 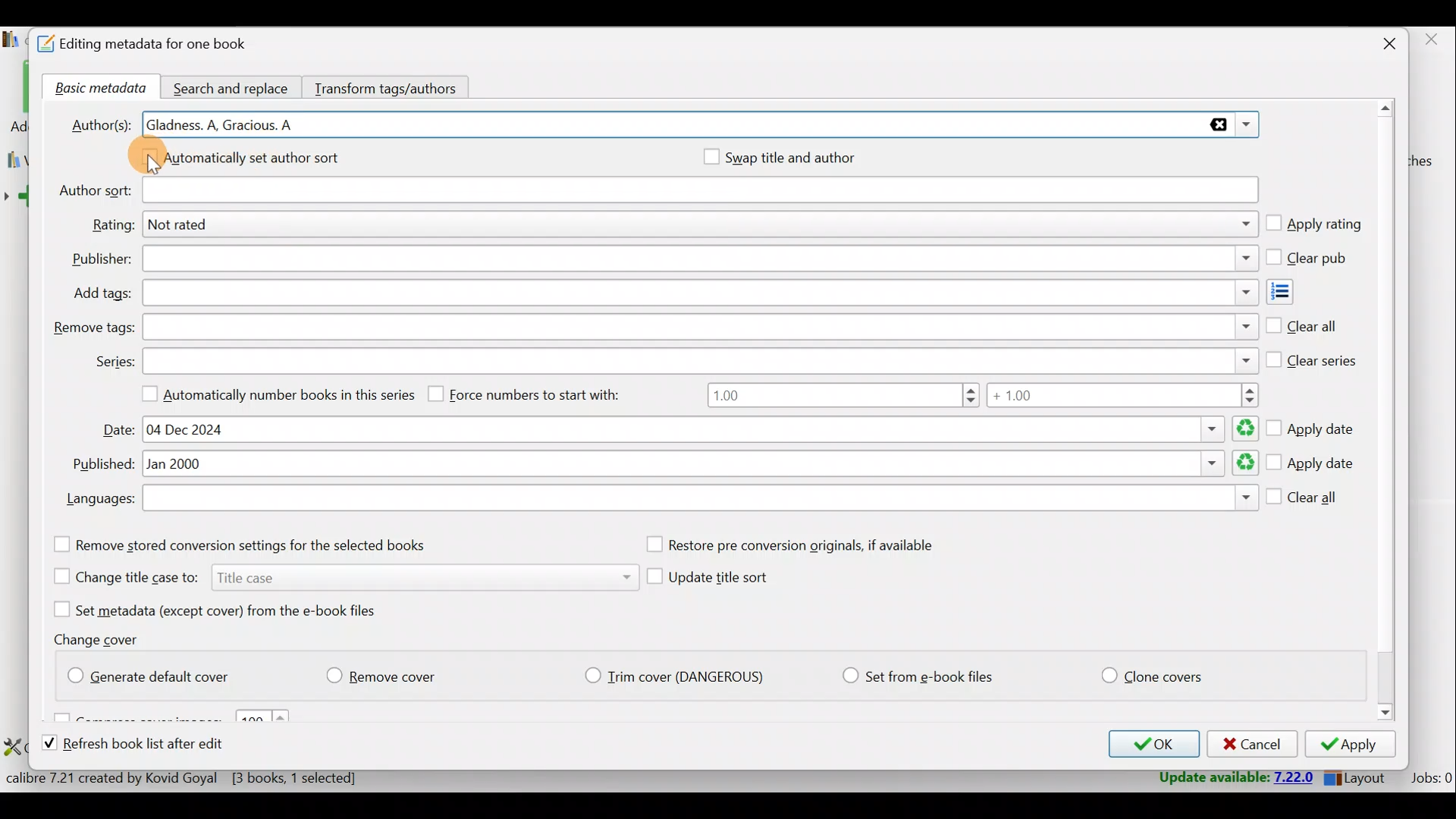 What do you see at coordinates (808, 157) in the screenshot?
I see `Swap title and author` at bounding box center [808, 157].